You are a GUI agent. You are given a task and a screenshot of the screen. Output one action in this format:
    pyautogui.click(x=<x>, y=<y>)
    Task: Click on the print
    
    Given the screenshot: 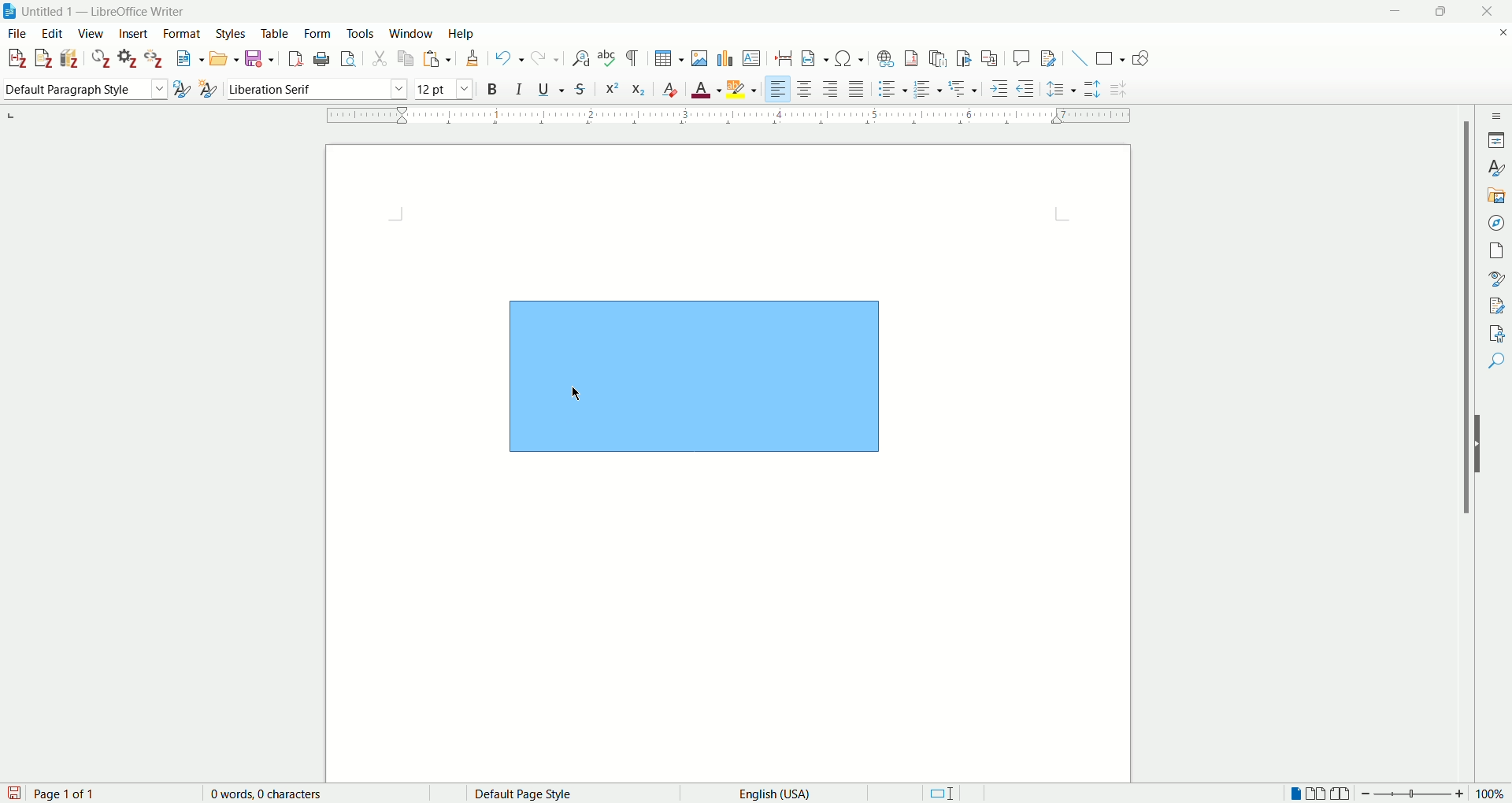 What is the action you would take?
    pyautogui.click(x=323, y=58)
    